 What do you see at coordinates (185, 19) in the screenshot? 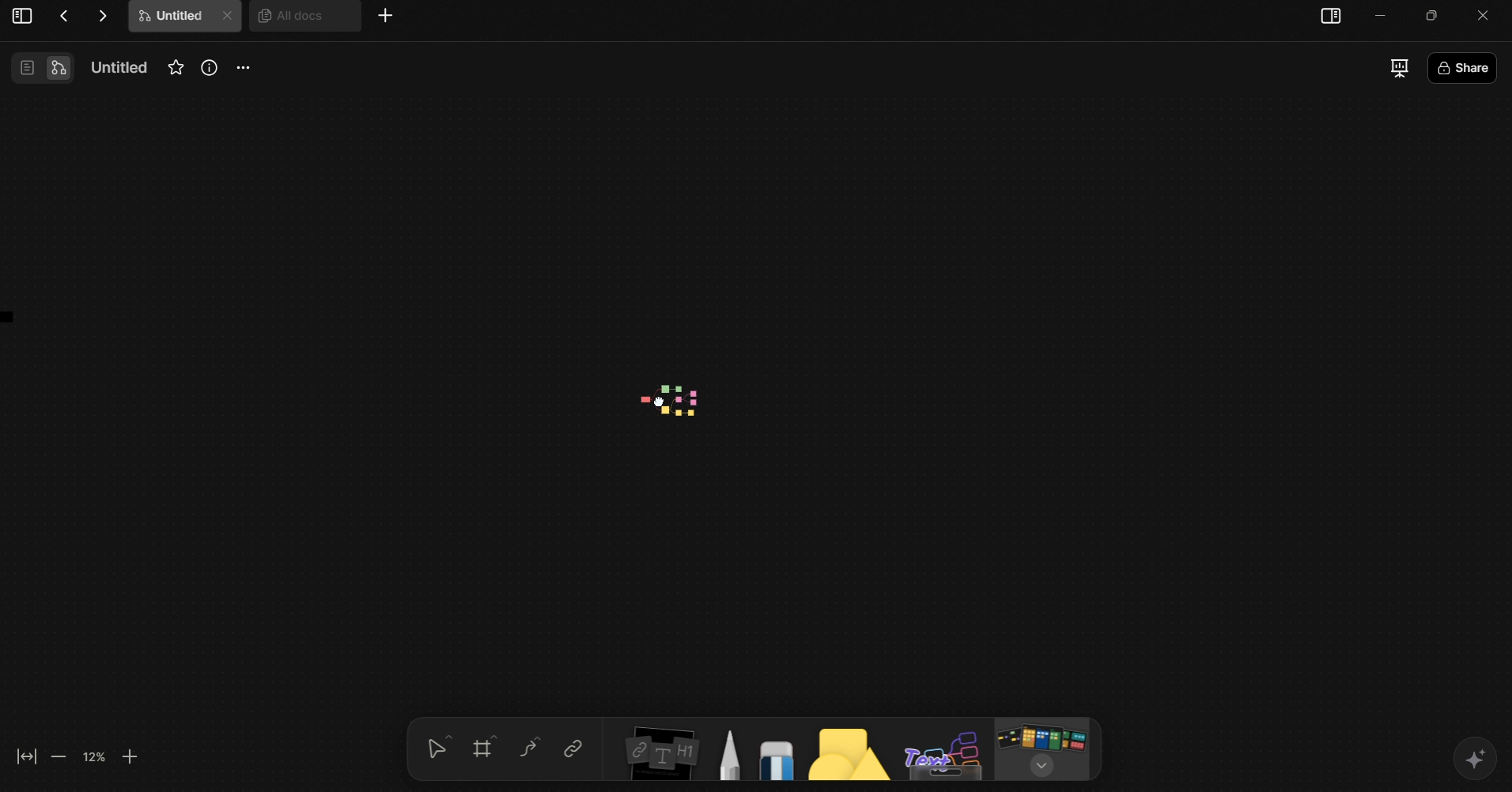
I see `Untitle` at bounding box center [185, 19].